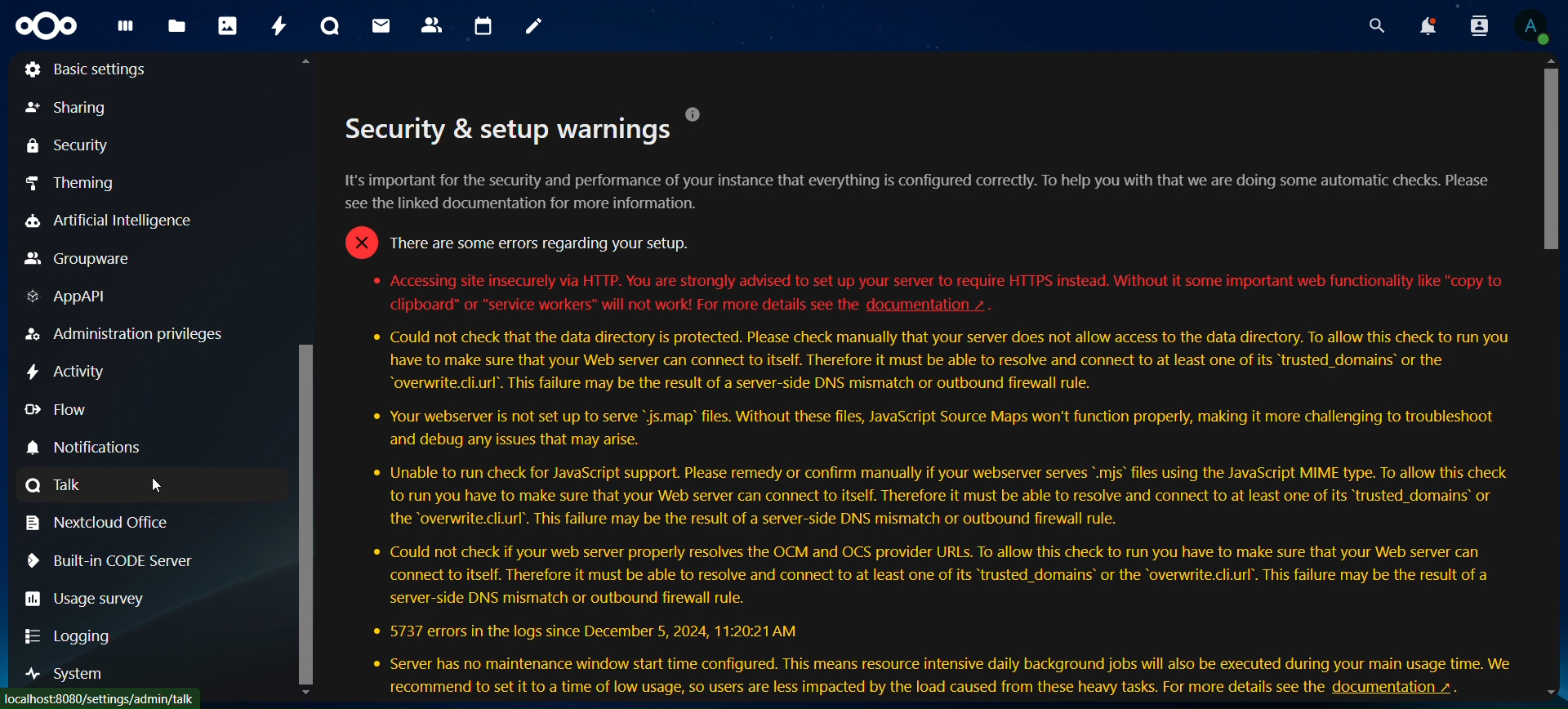  Describe the element at coordinates (60, 486) in the screenshot. I see `talk` at that location.